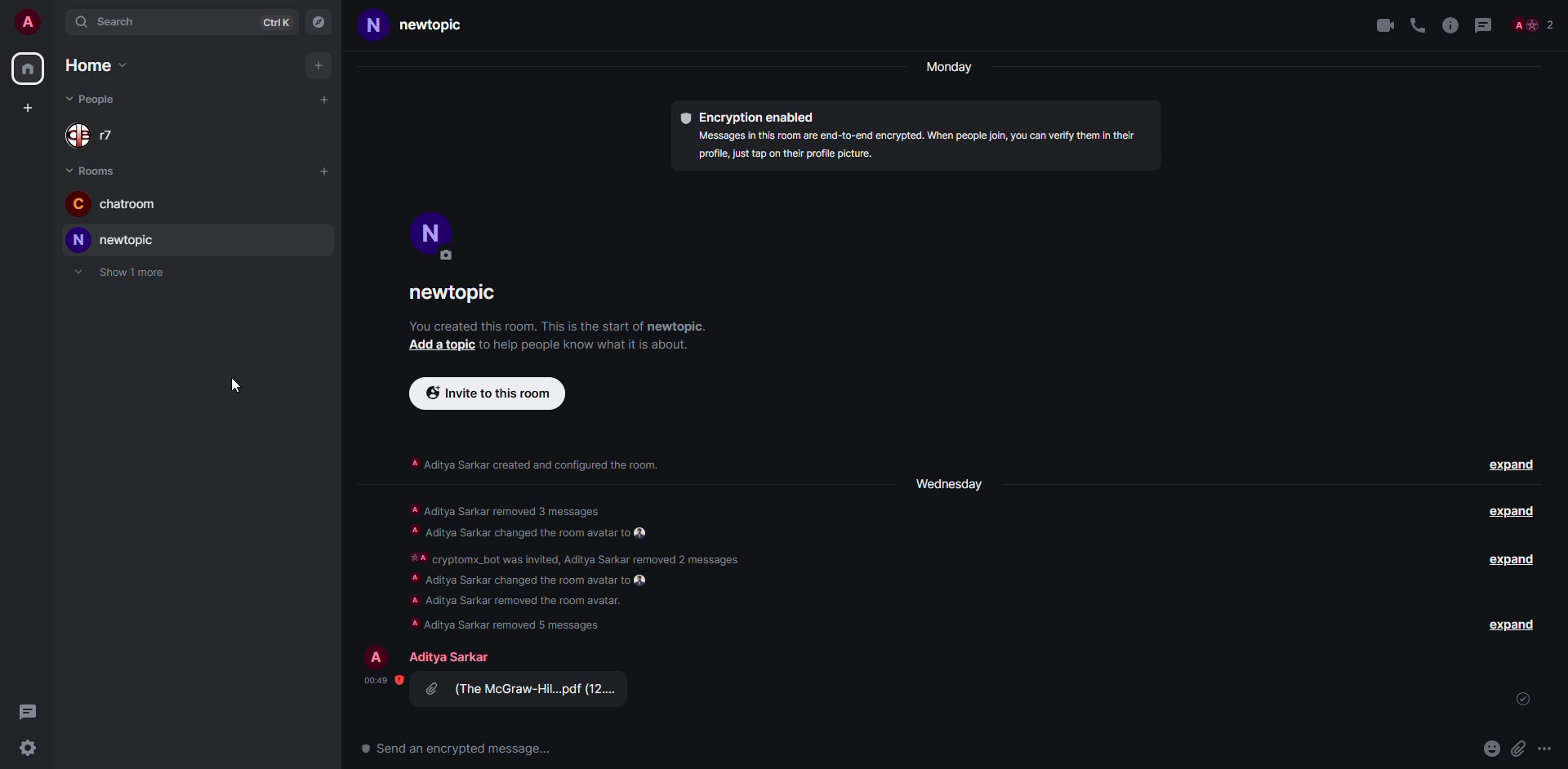 This screenshot has width=1568, height=769. I want to click on add, so click(443, 347).